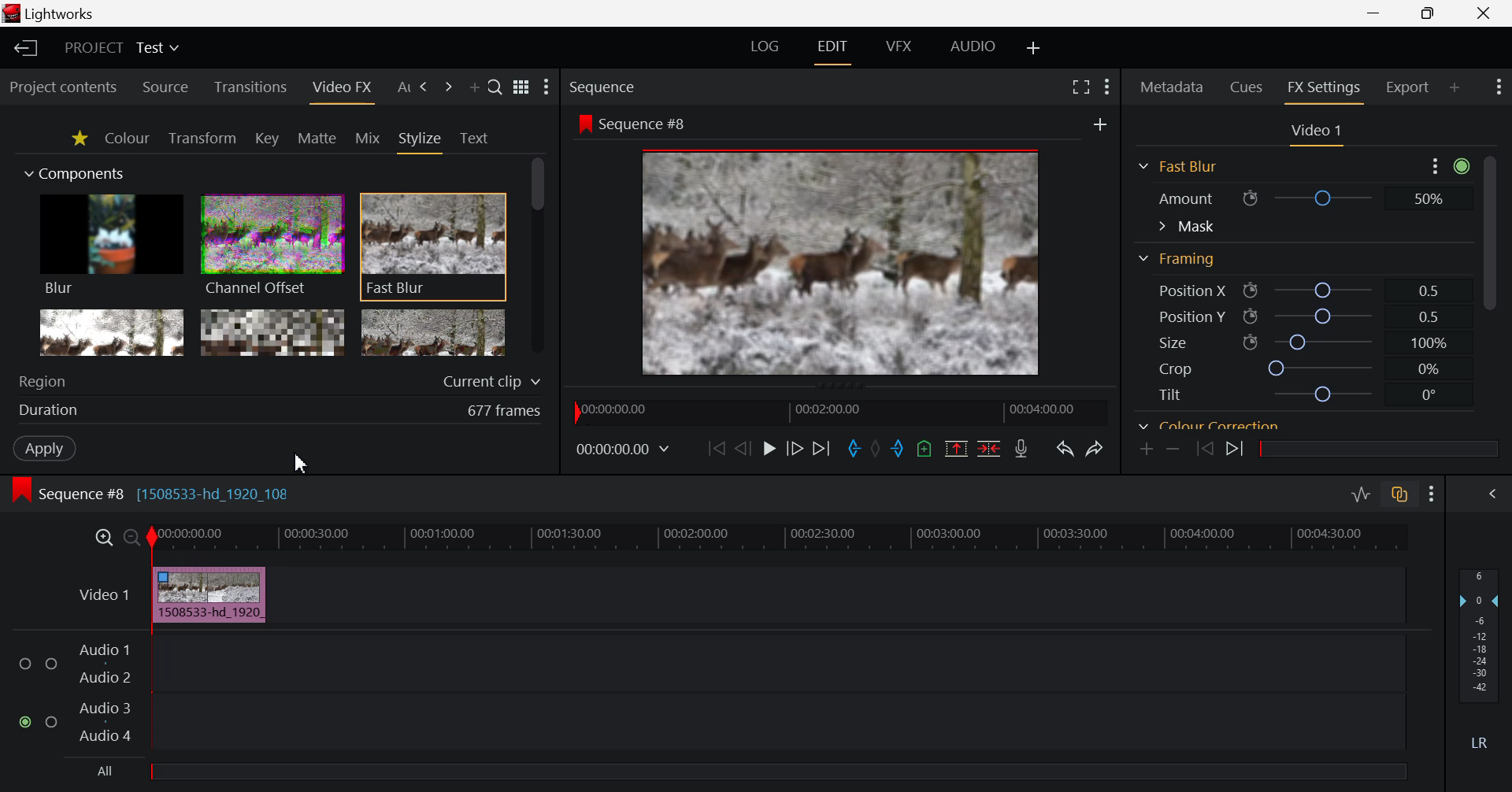  What do you see at coordinates (1178, 165) in the screenshot?
I see `Framing Section` at bounding box center [1178, 165].